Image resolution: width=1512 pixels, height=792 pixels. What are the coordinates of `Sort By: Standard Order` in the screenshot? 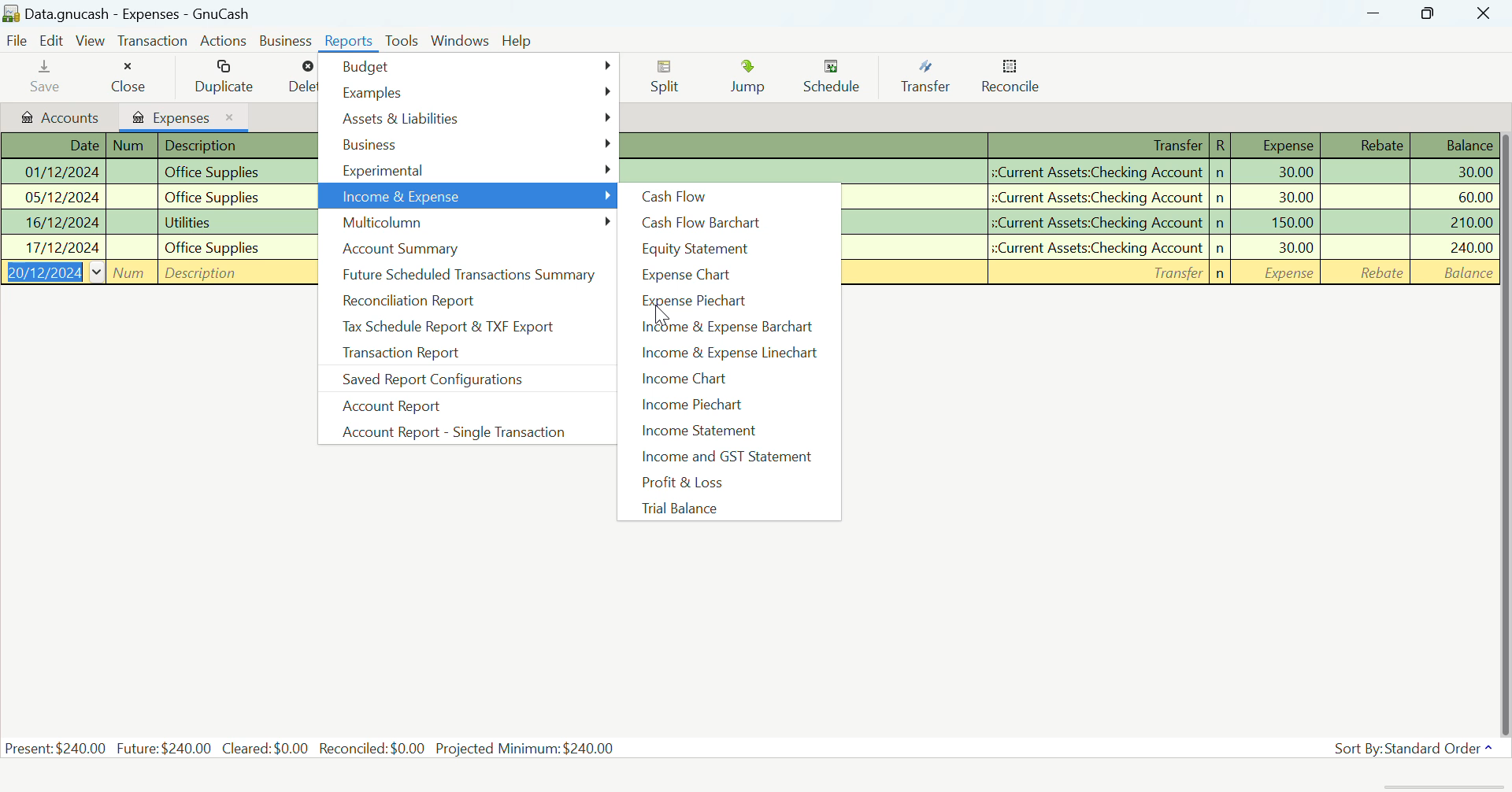 It's located at (1405, 749).